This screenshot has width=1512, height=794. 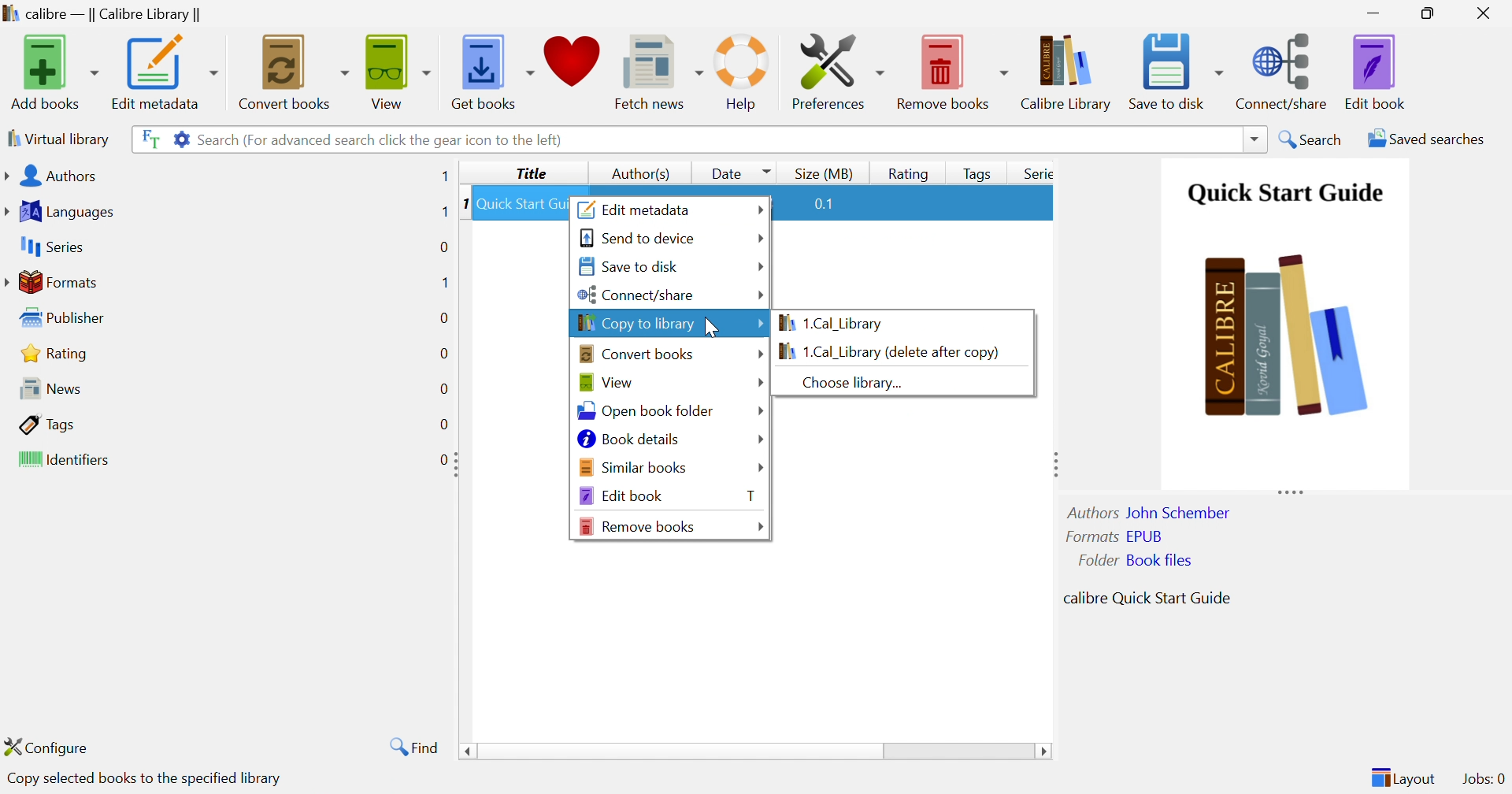 What do you see at coordinates (383, 141) in the screenshot?
I see `Search (For advanced search click the gear icon to the left)` at bounding box center [383, 141].